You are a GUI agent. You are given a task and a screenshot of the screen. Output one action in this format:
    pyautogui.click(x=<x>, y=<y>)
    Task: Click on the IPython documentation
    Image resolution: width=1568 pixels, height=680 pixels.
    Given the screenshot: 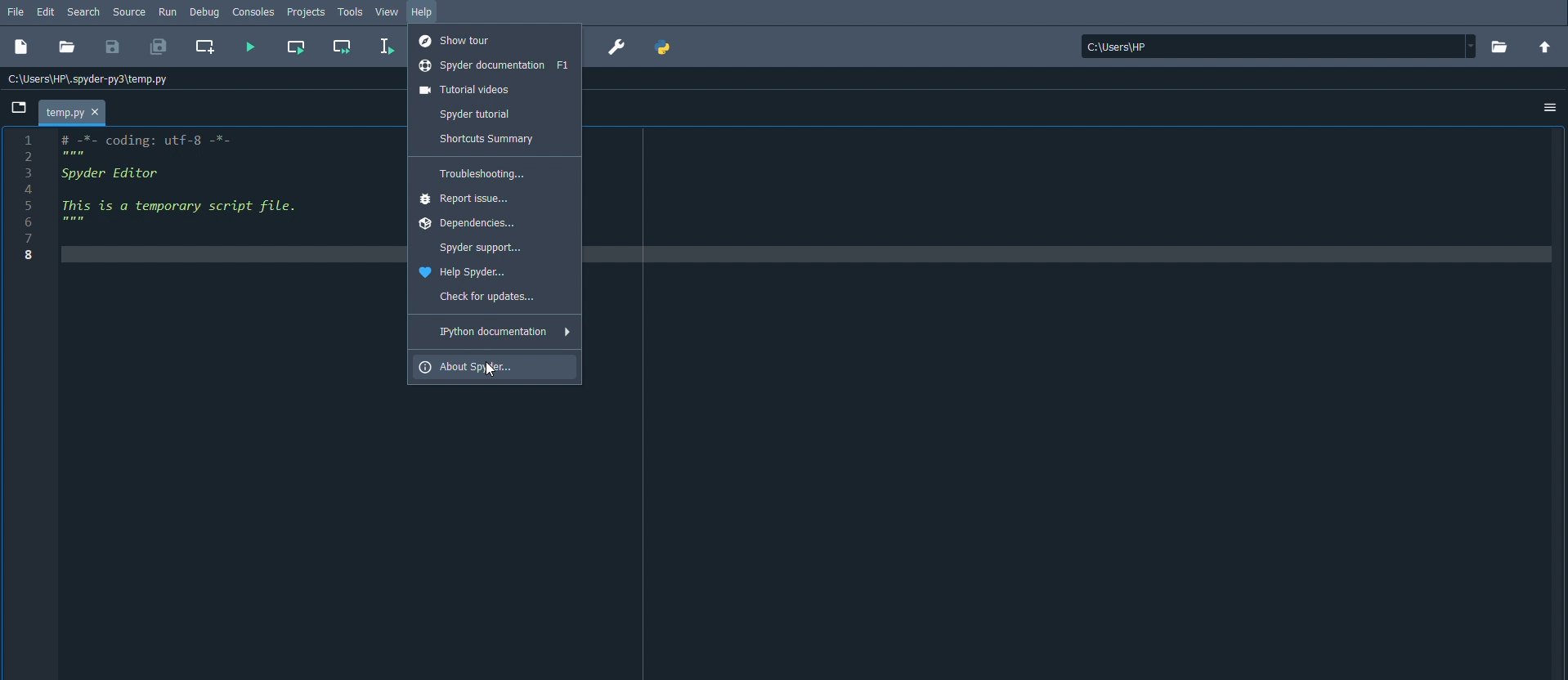 What is the action you would take?
    pyautogui.click(x=500, y=331)
    